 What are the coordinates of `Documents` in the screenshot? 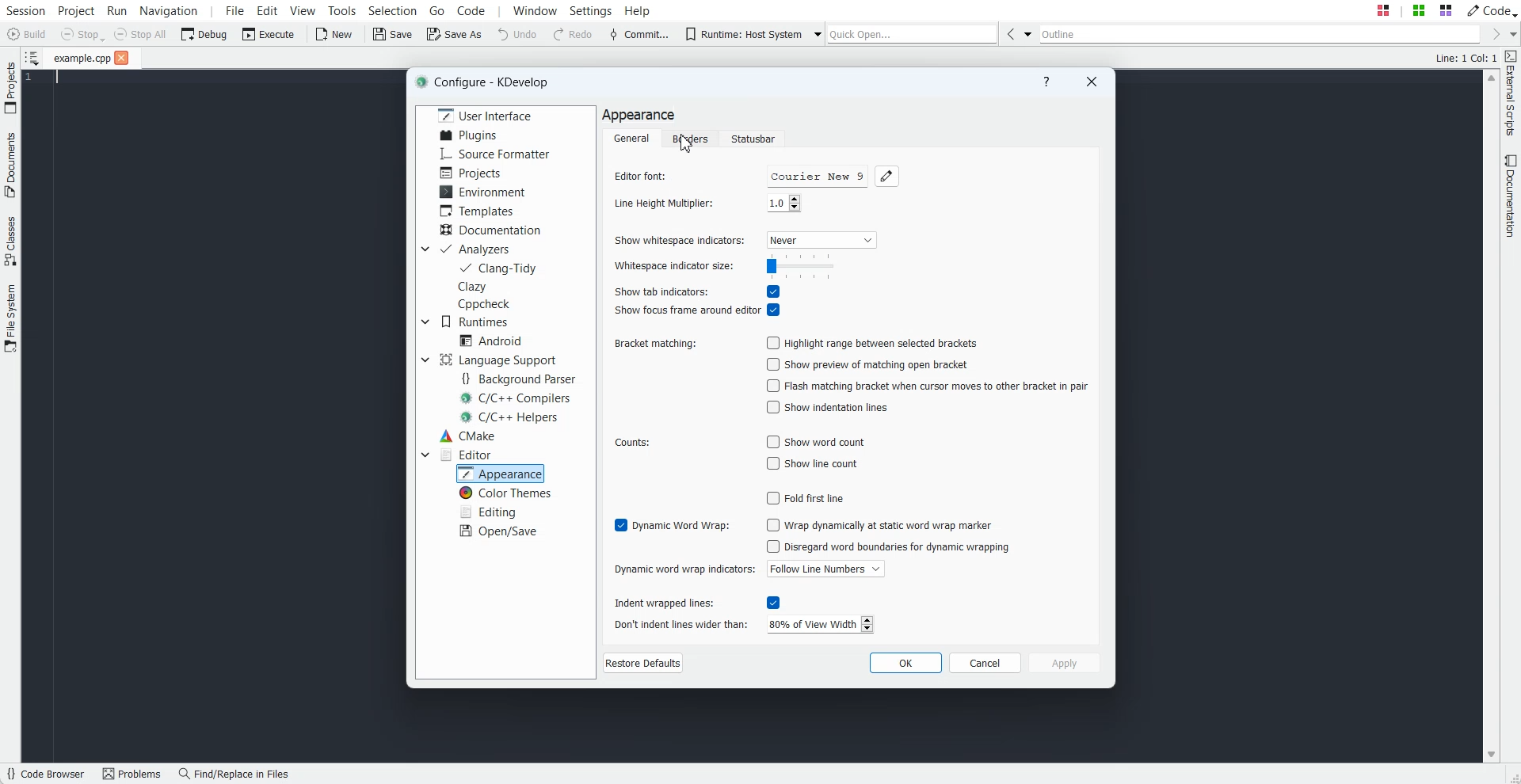 It's located at (10, 165).